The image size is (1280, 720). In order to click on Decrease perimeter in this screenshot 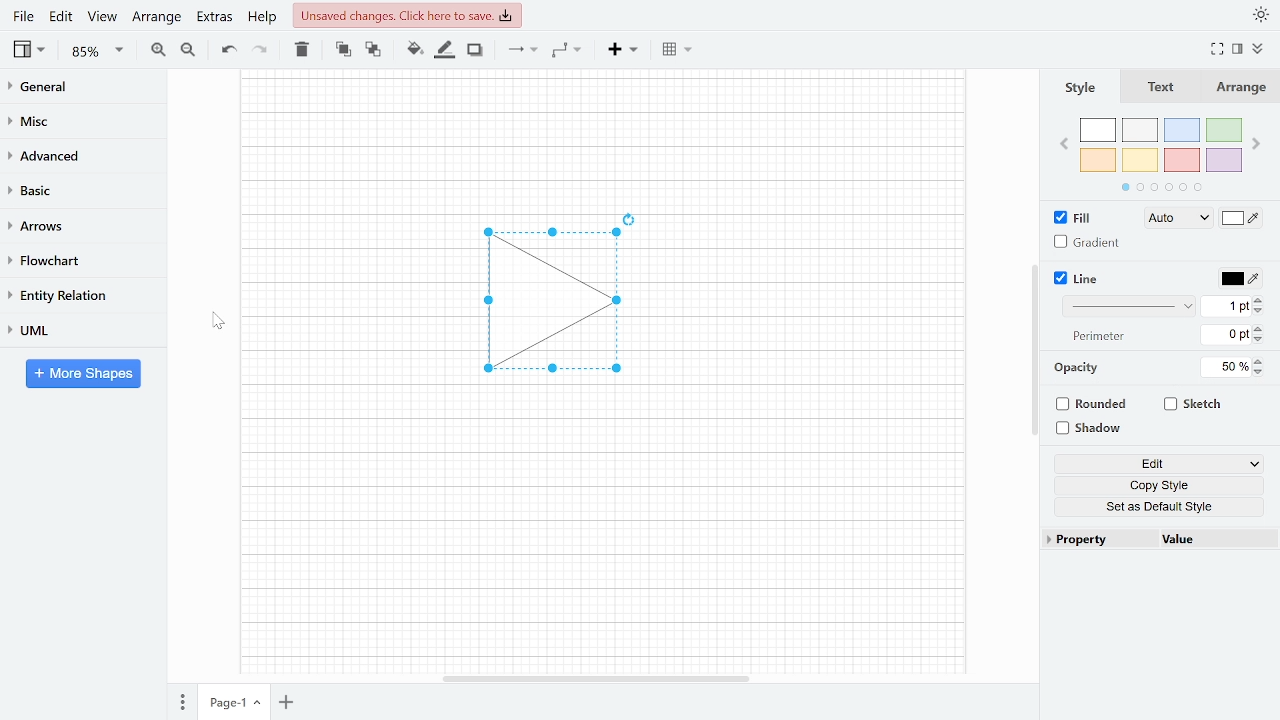, I will do `click(1260, 341)`.